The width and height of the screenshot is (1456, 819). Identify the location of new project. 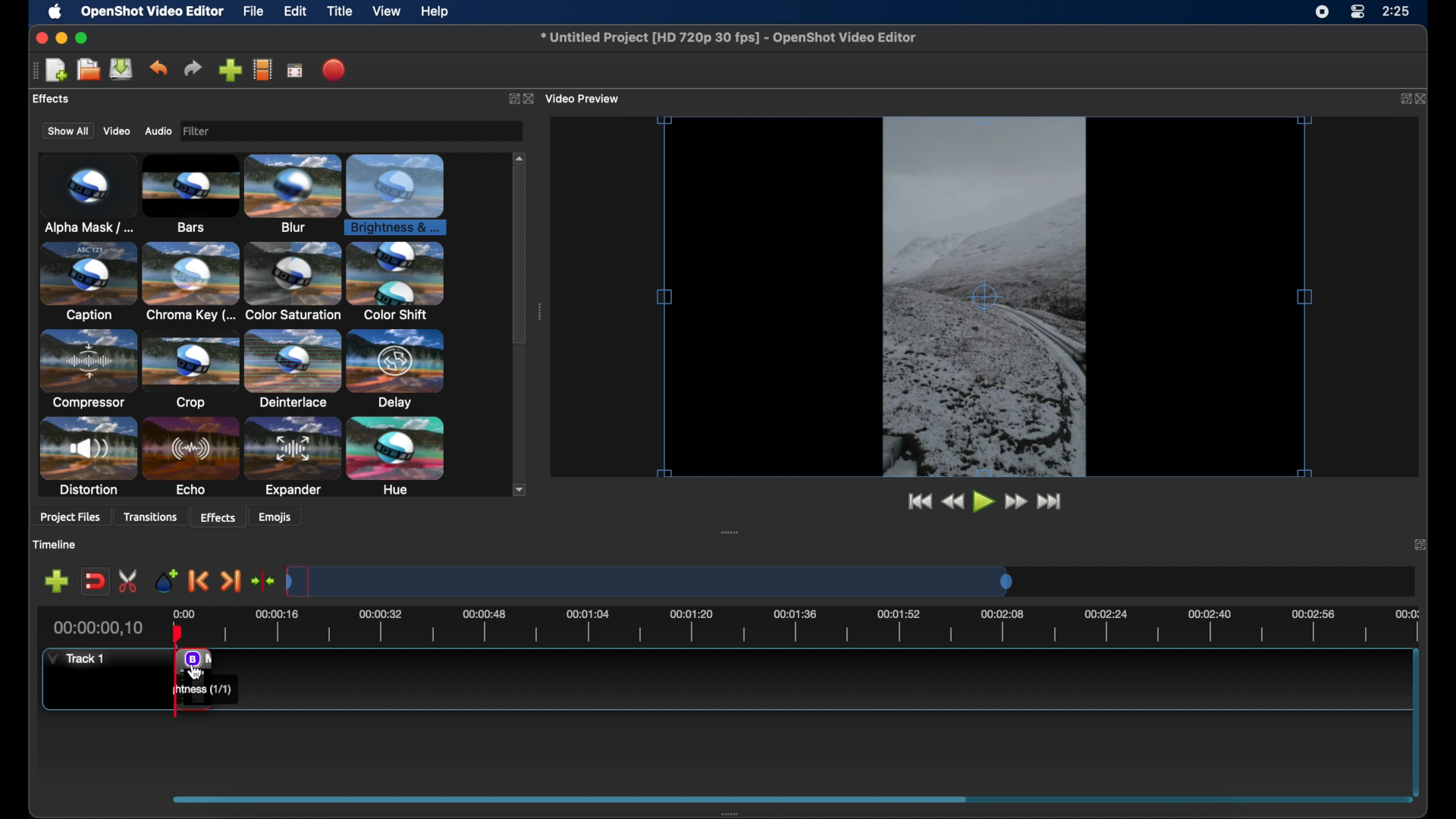
(56, 69).